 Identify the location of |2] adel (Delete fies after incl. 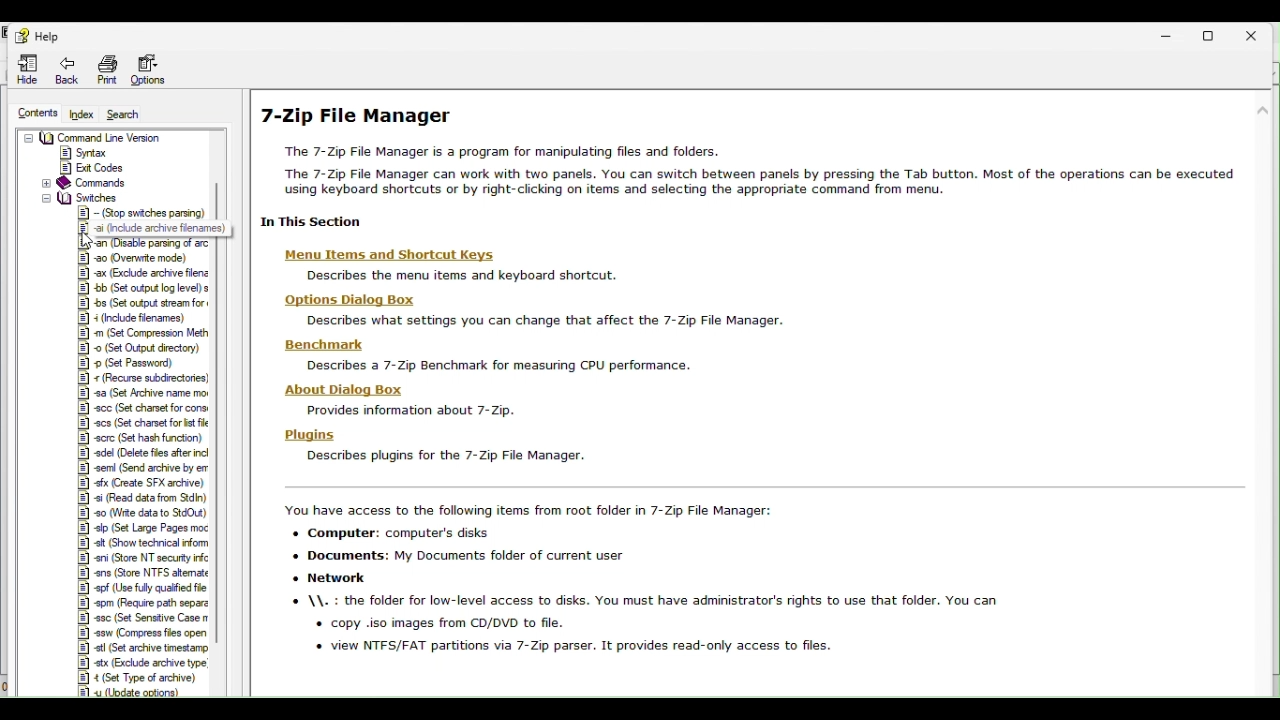
(147, 453).